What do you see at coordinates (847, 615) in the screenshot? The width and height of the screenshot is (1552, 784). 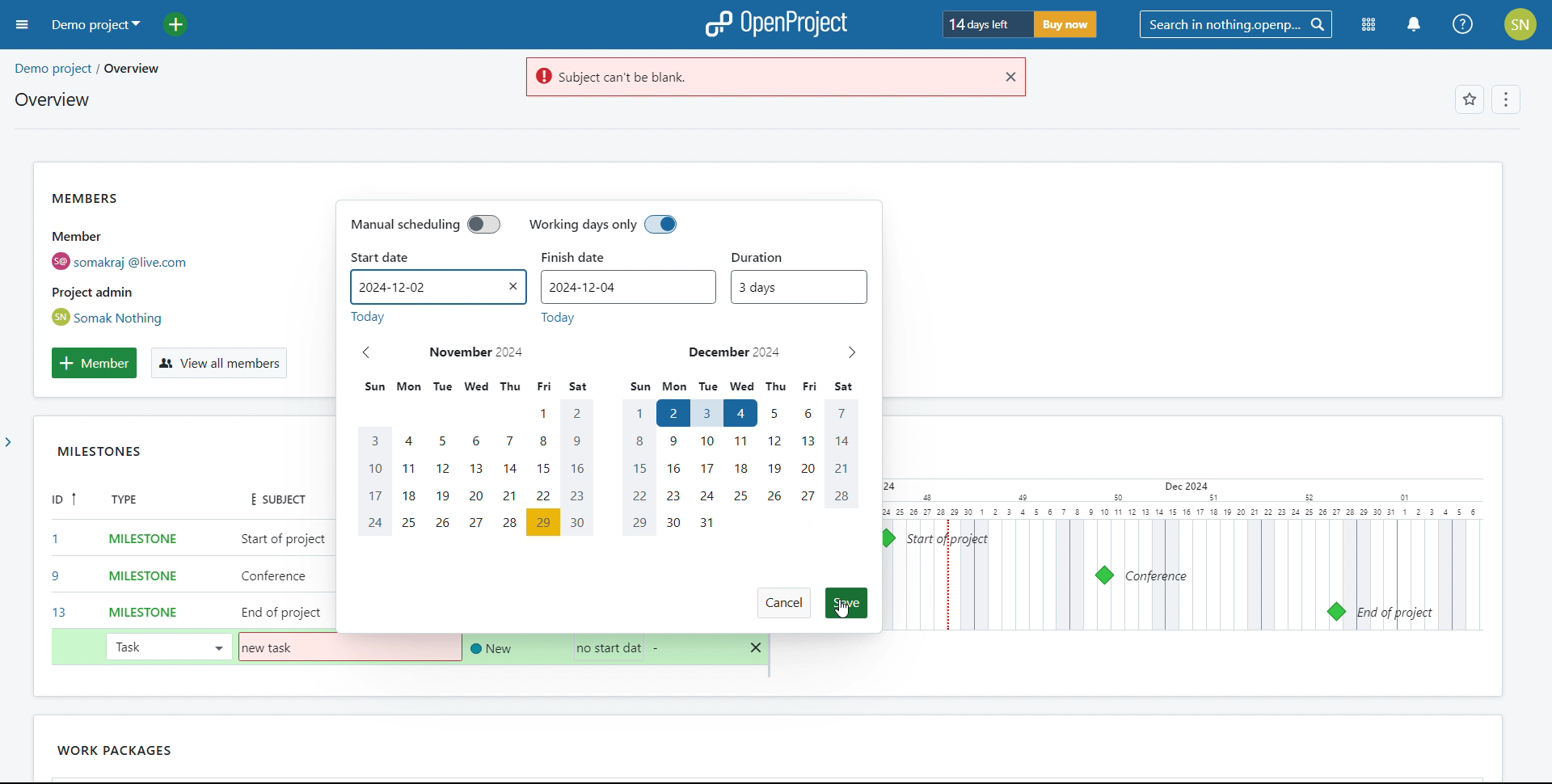 I see `cursor` at bounding box center [847, 615].